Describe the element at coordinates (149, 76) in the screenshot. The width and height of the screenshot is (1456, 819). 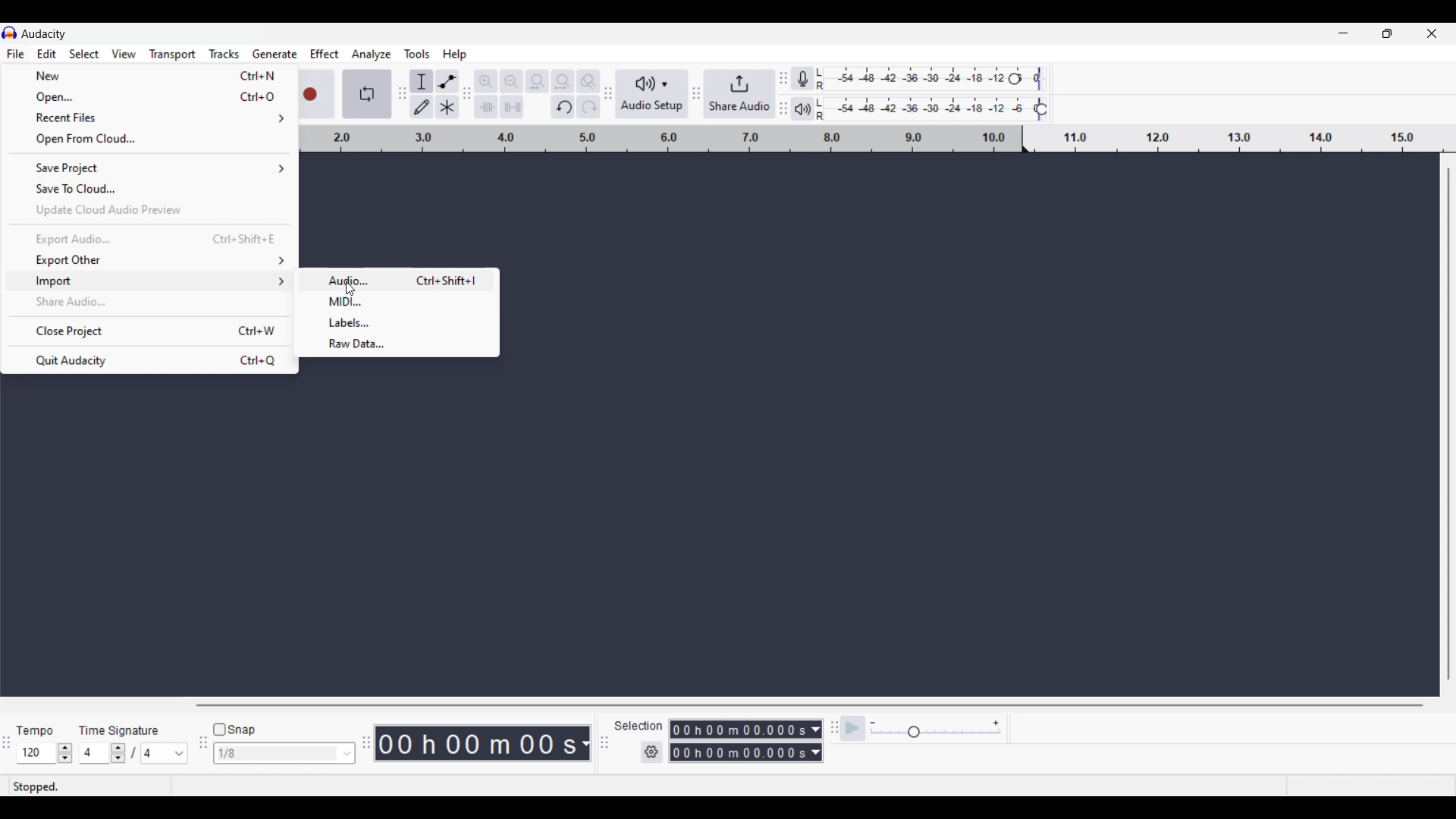
I see `New      Ctrl+N` at that location.